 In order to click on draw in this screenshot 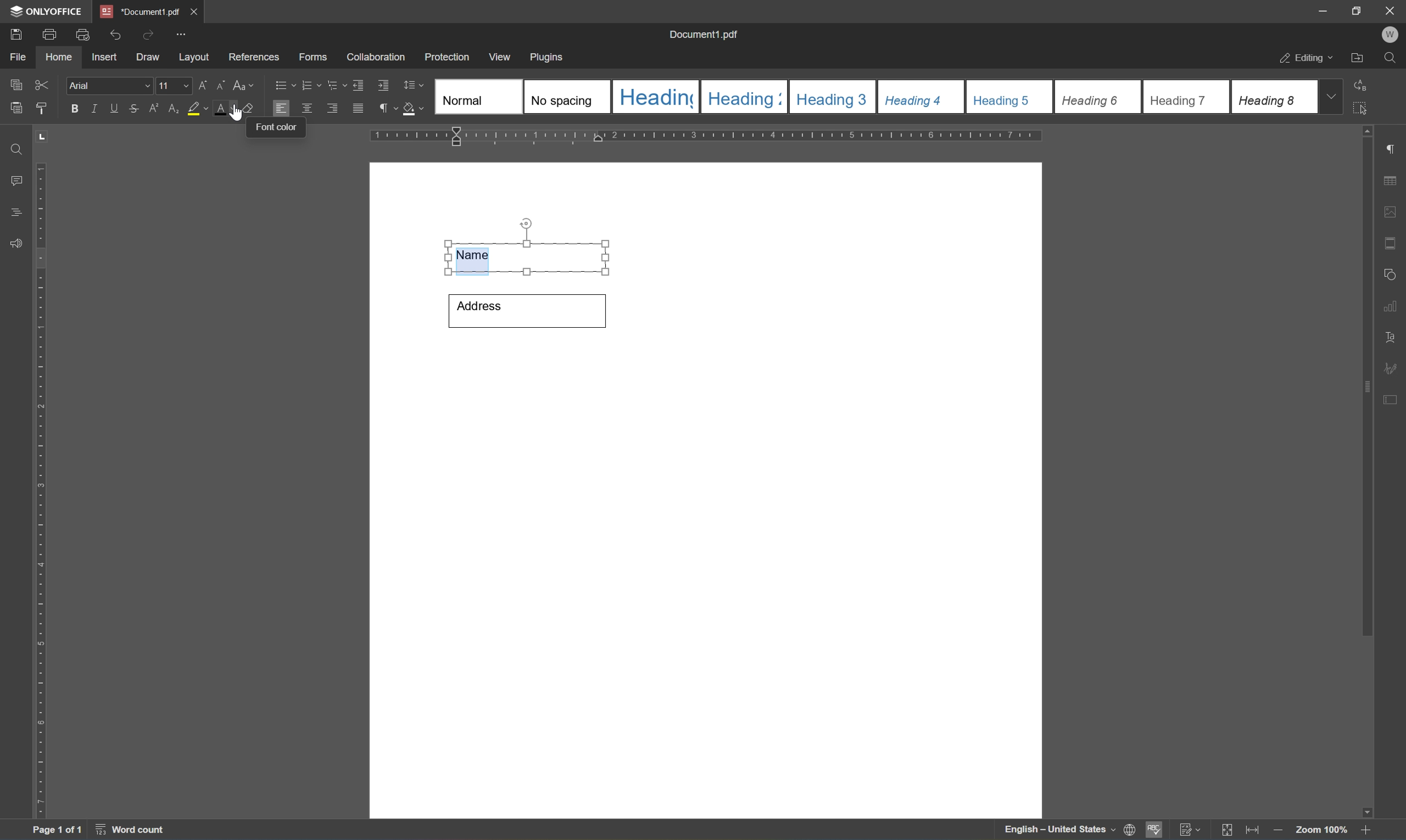, I will do `click(149, 58)`.